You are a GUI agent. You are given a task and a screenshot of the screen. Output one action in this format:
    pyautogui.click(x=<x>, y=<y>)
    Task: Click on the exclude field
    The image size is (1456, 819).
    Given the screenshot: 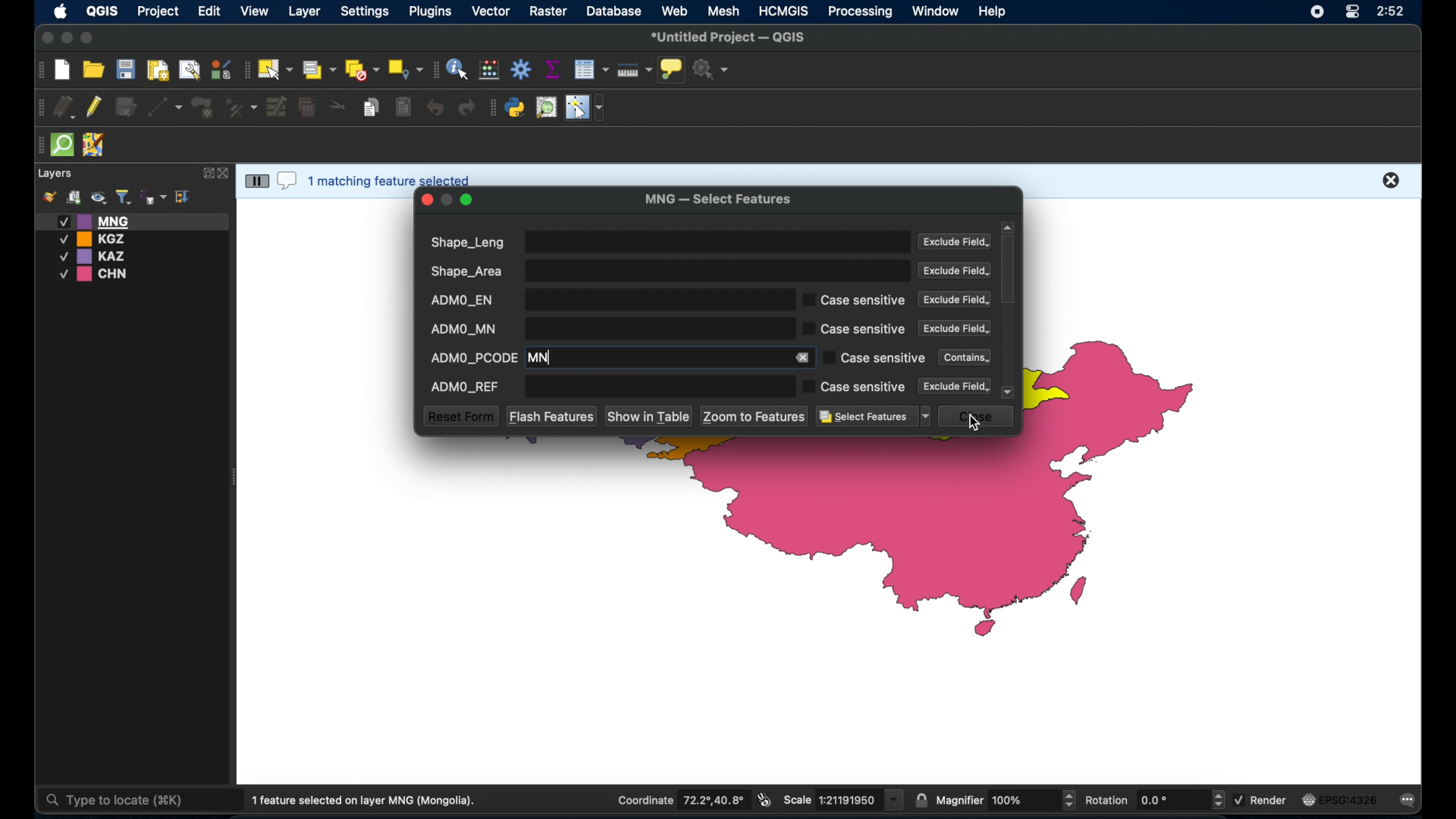 What is the action you would take?
    pyautogui.click(x=955, y=328)
    